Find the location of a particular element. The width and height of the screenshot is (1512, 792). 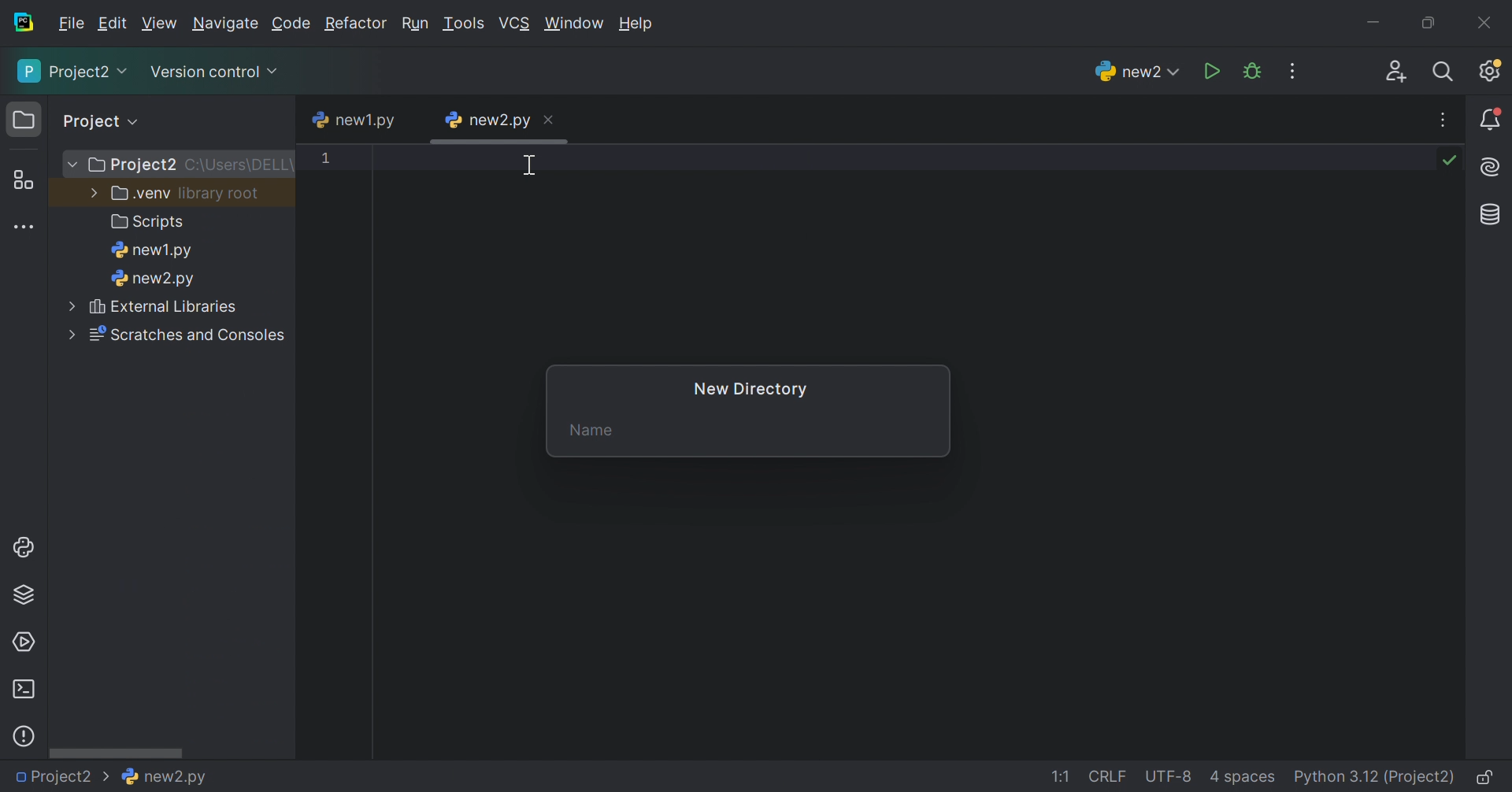

External libraries is located at coordinates (165, 307).